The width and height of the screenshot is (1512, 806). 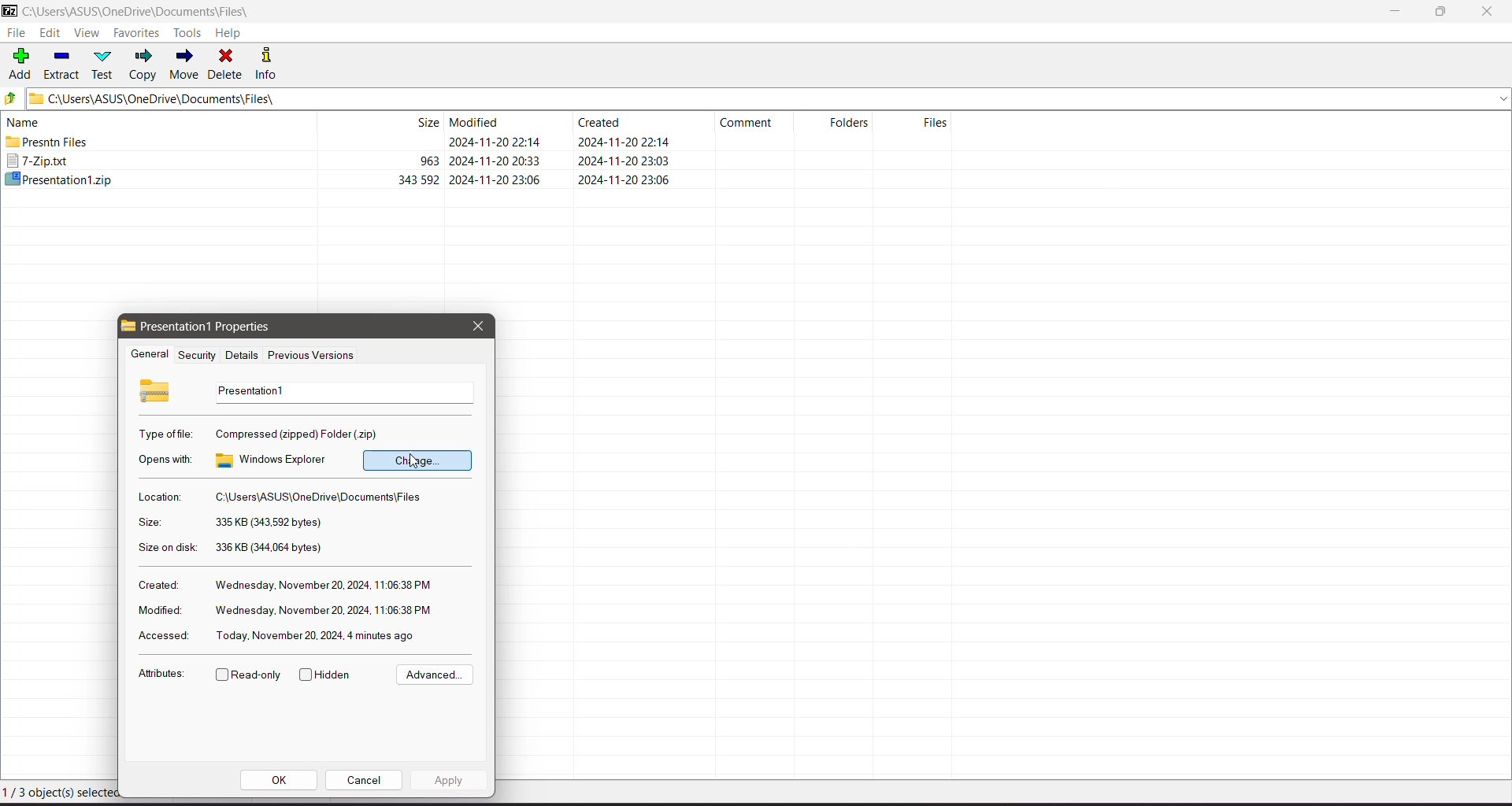 What do you see at coordinates (270, 548) in the screenshot?
I see `Total size of the selected file` at bounding box center [270, 548].